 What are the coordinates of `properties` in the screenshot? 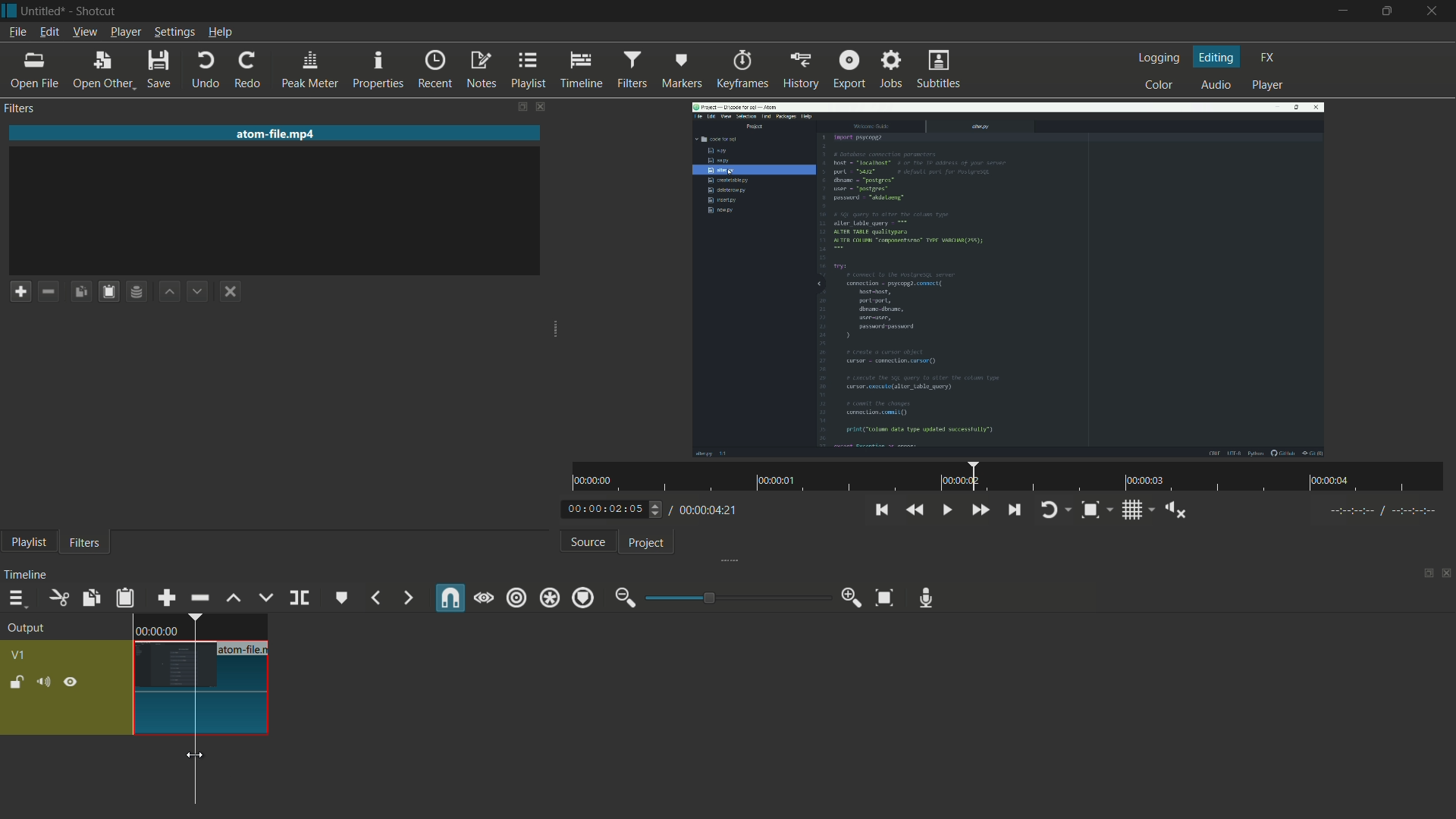 It's located at (378, 69).